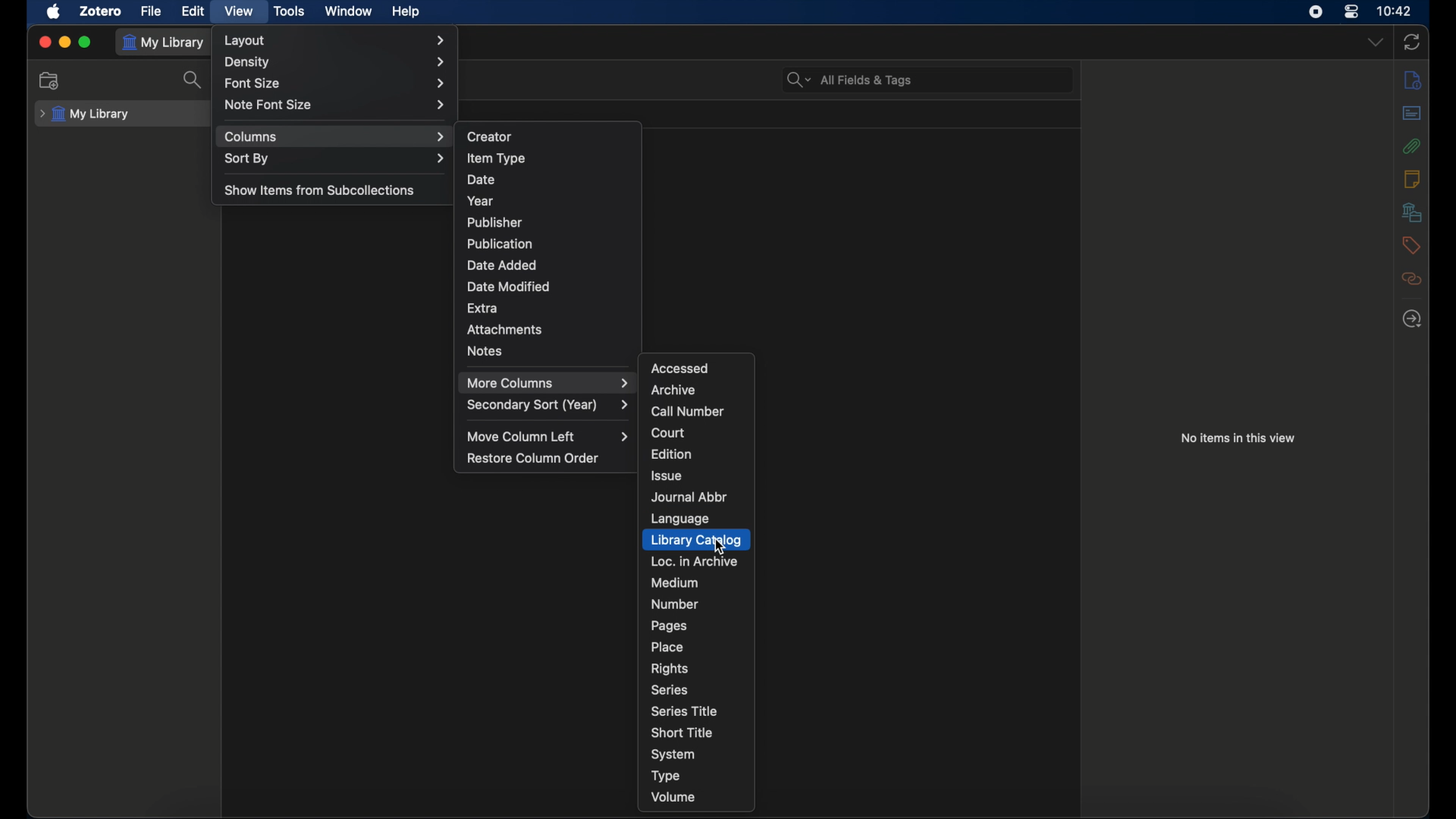 The width and height of the screenshot is (1456, 819). What do you see at coordinates (347, 11) in the screenshot?
I see `window` at bounding box center [347, 11].